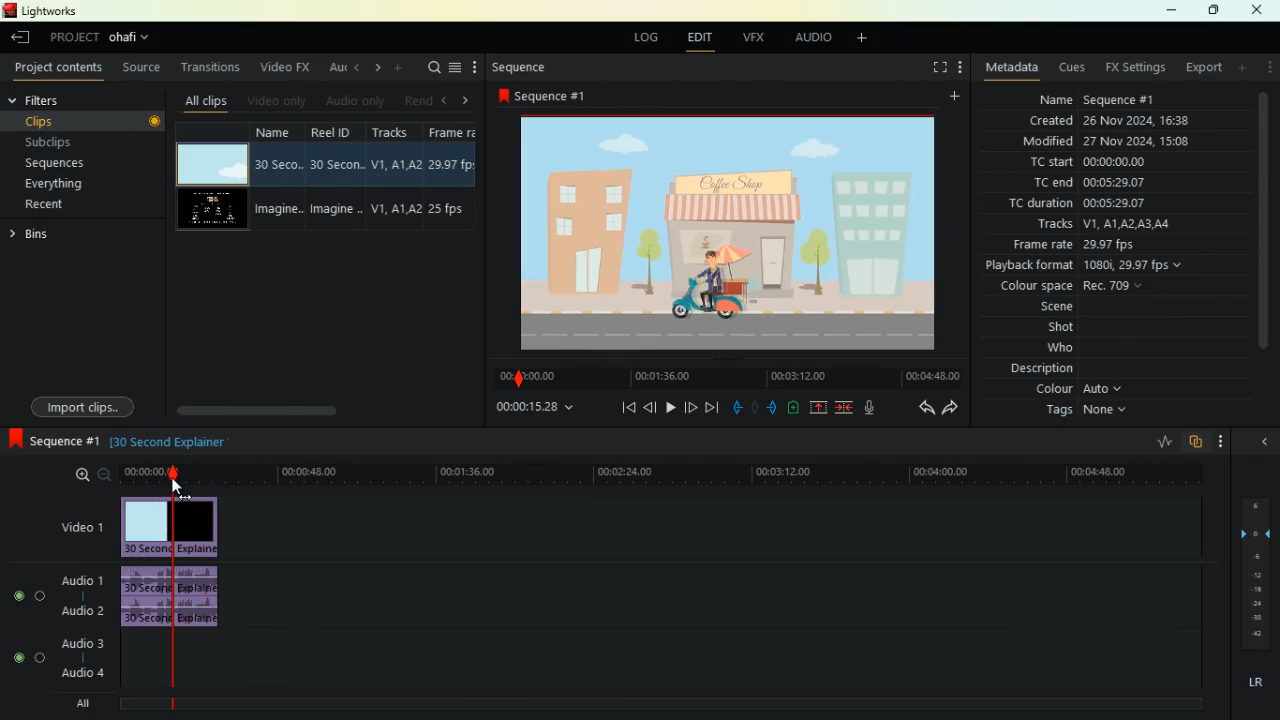 The width and height of the screenshot is (1280, 720). What do you see at coordinates (86, 474) in the screenshot?
I see `zoom` at bounding box center [86, 474].